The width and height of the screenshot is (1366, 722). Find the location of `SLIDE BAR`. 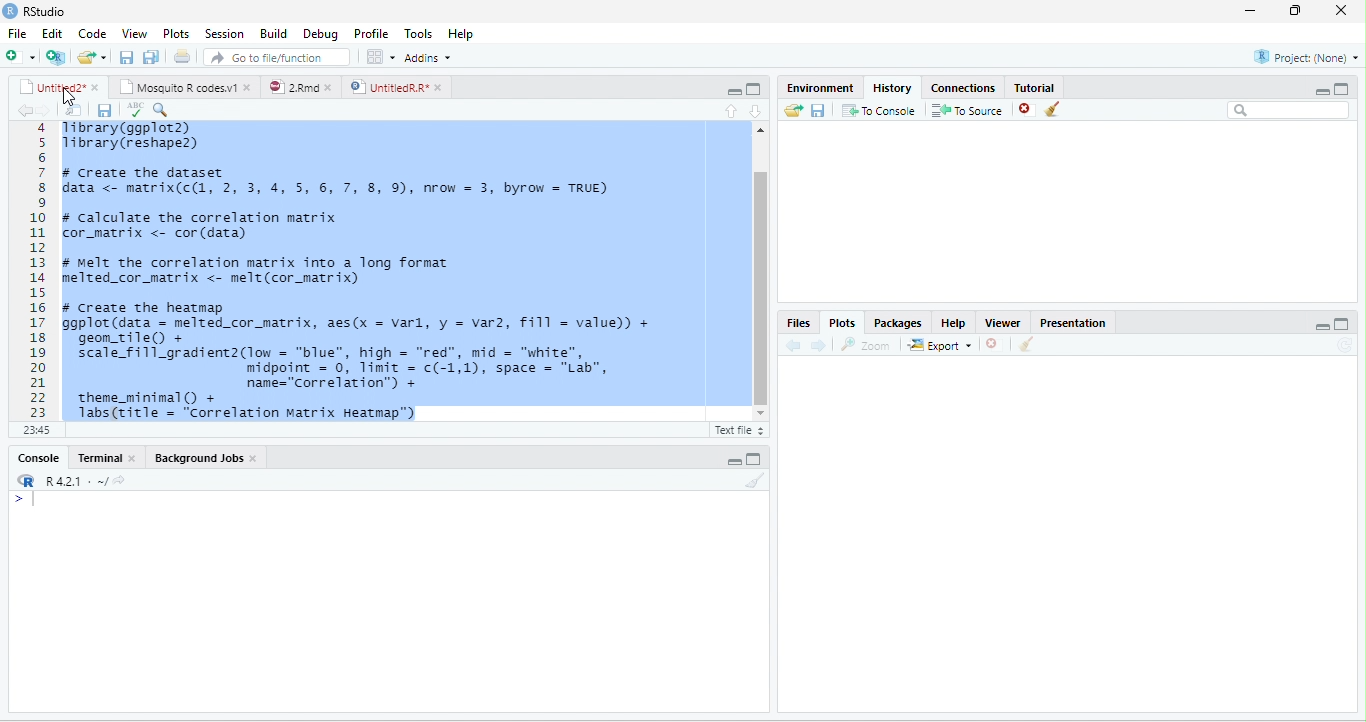

SLIDE BAR is located at coordinates (759, 272).